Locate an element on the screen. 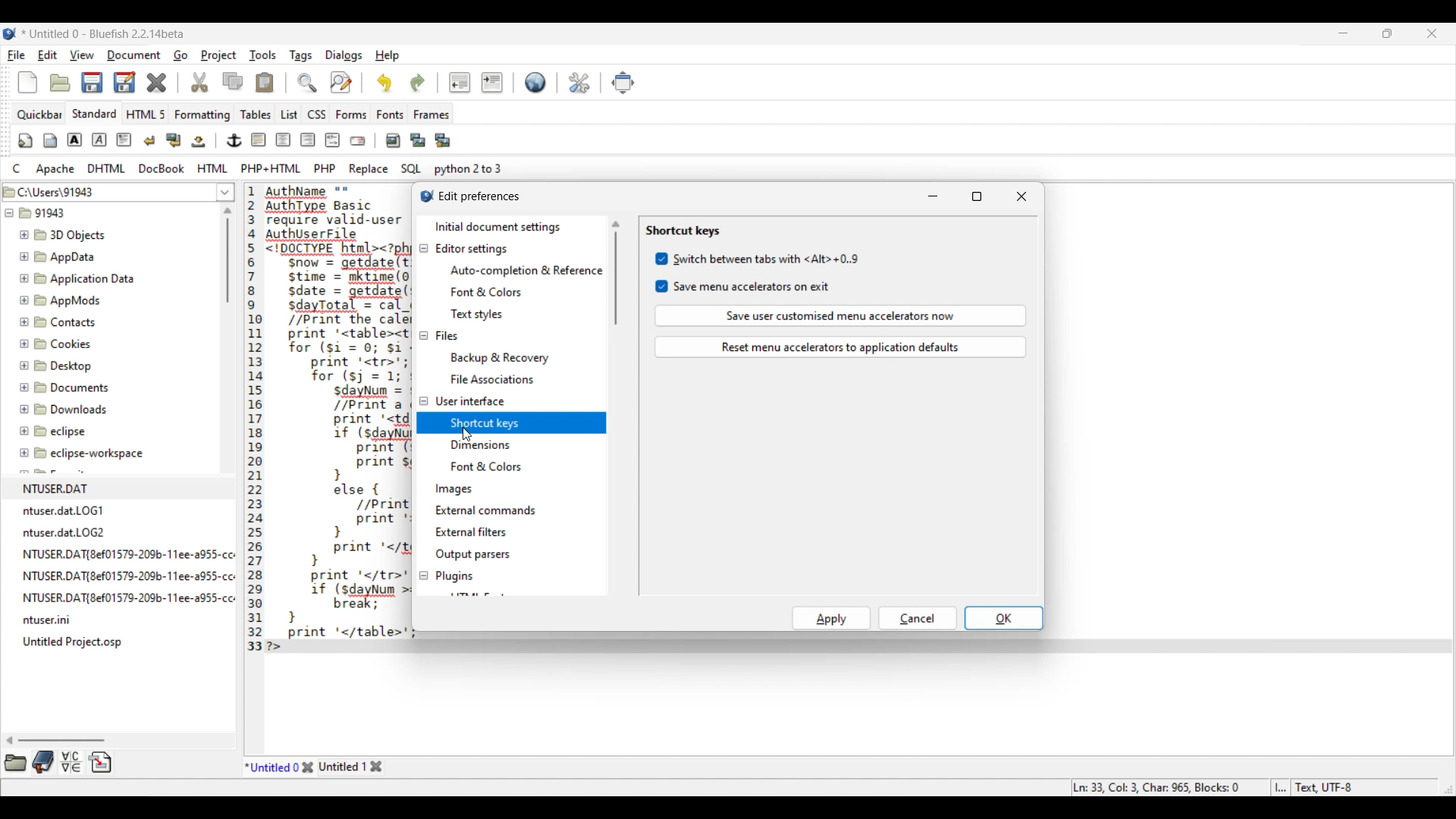  Files setting is located at coordinates (447, 335).